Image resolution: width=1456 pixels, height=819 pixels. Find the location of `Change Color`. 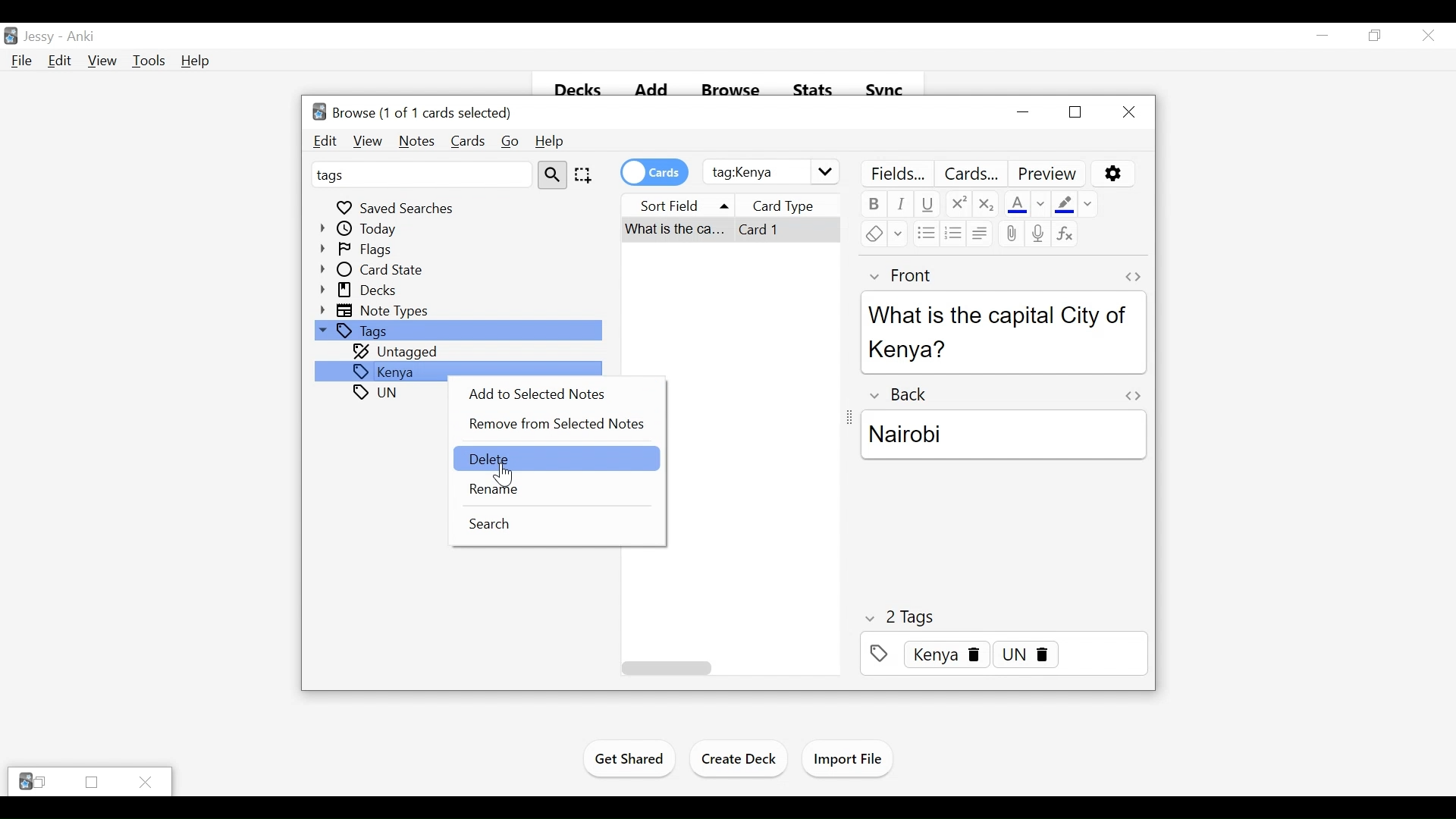

Change Color is located at coordinates (1043, 202).